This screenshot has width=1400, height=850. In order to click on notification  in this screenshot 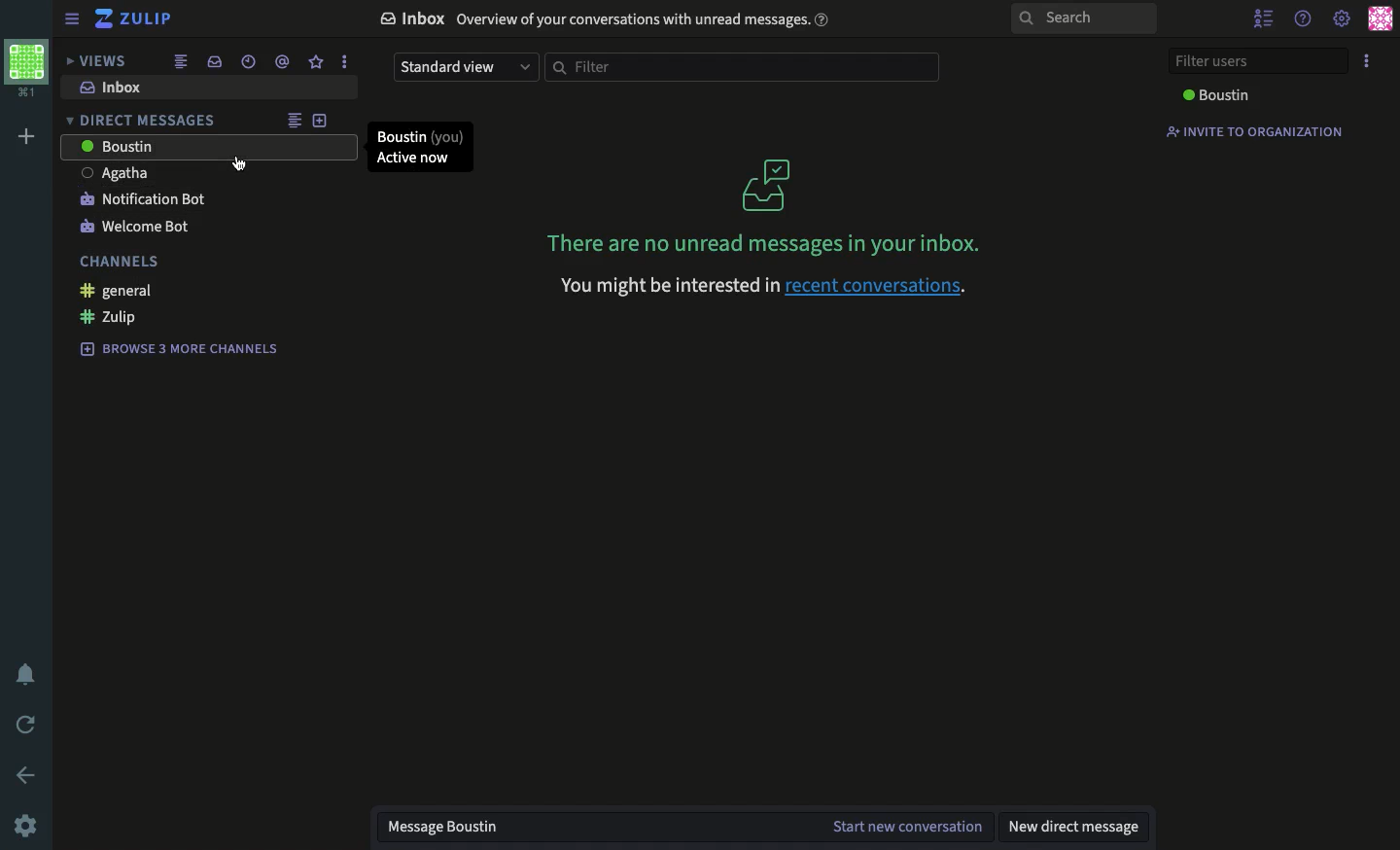, I will do `click(28, 674)`.